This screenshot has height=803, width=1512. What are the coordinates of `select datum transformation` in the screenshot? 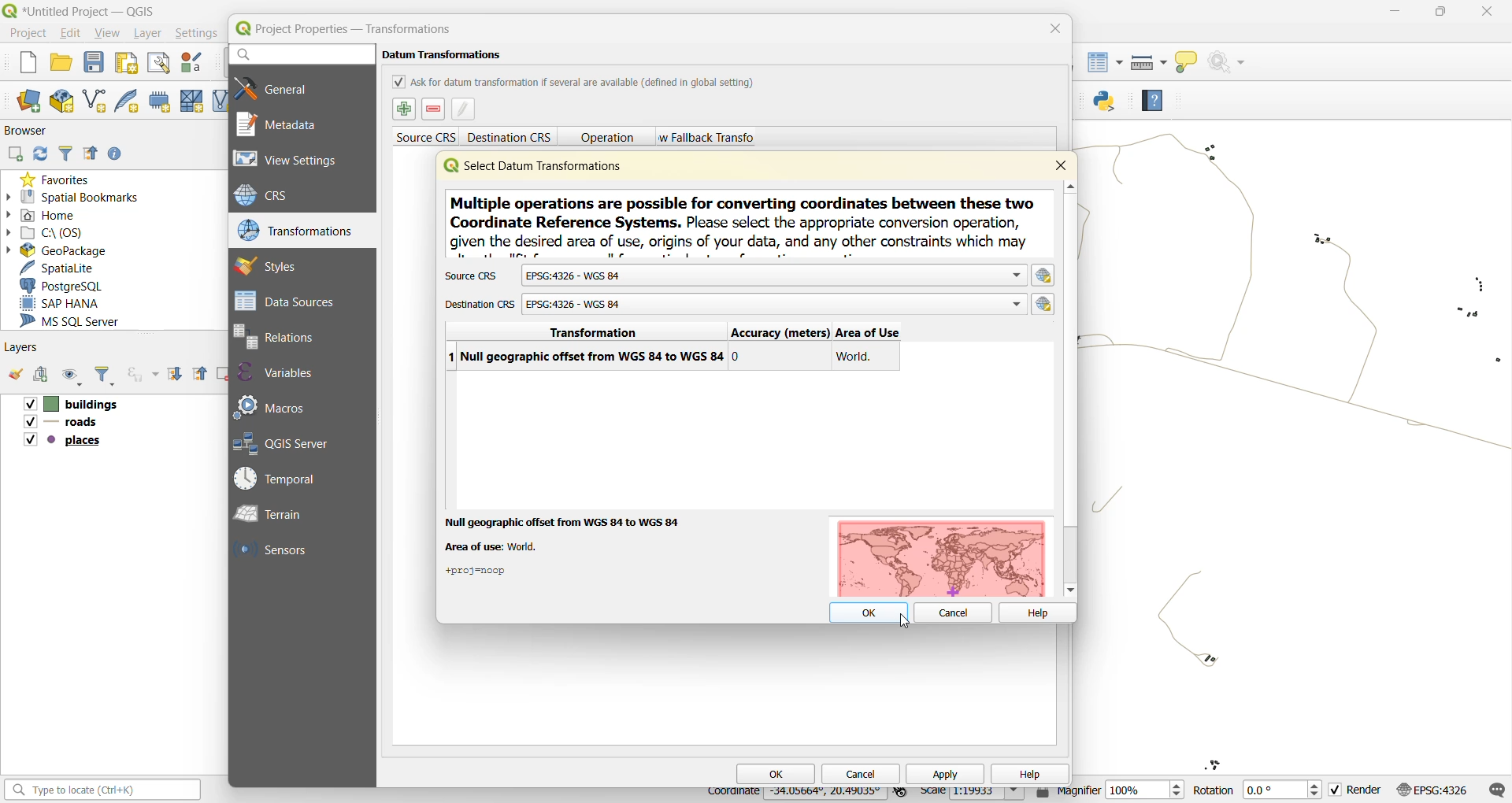 It's located at (405, 109).